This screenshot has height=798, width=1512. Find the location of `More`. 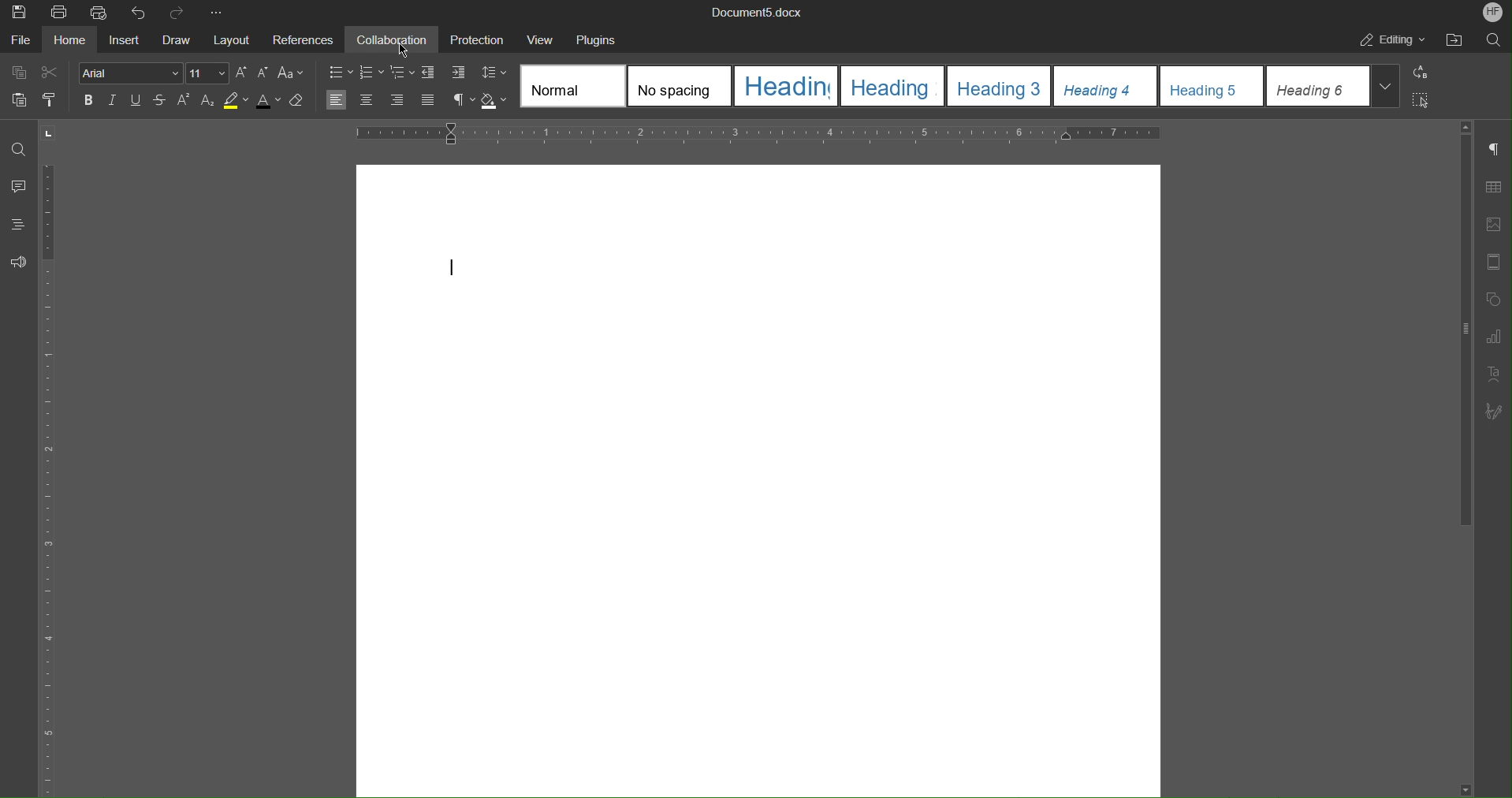

More is located at coordinates (223, 13).